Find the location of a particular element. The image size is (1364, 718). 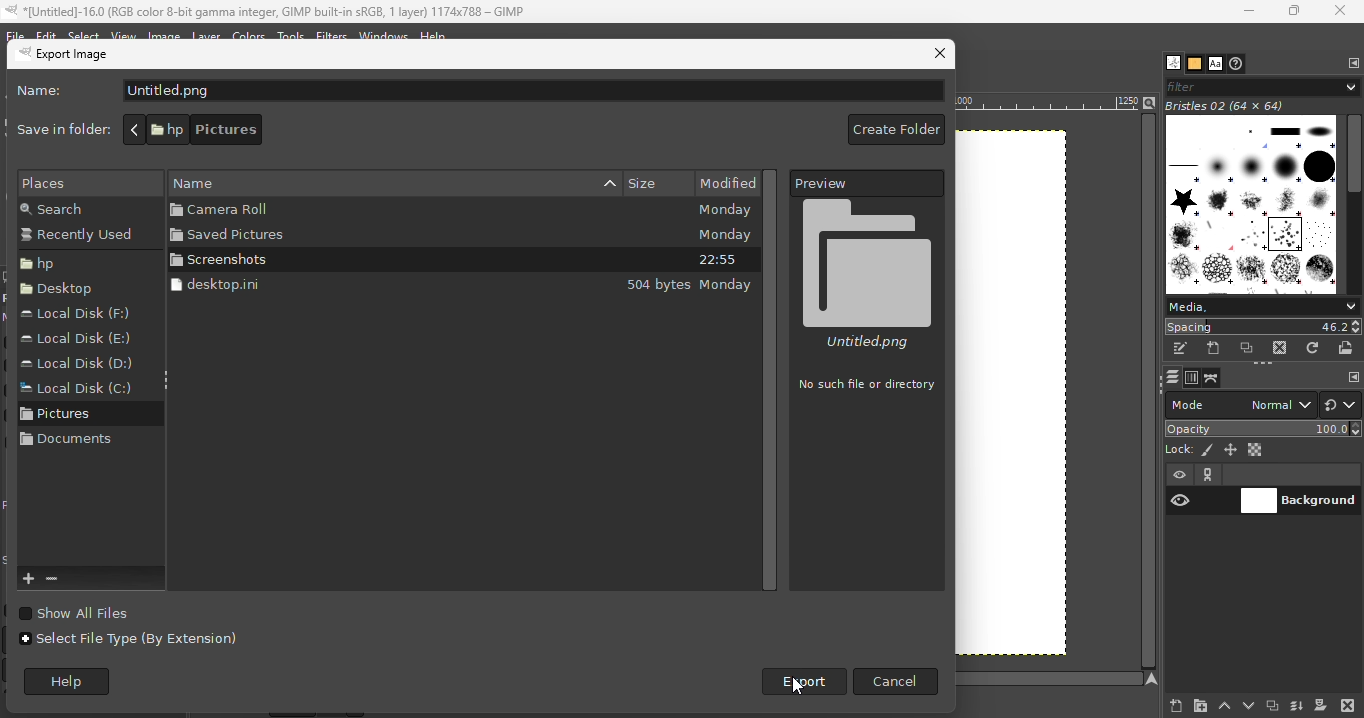

Delete this layer is located at coordinates (1348, 704).